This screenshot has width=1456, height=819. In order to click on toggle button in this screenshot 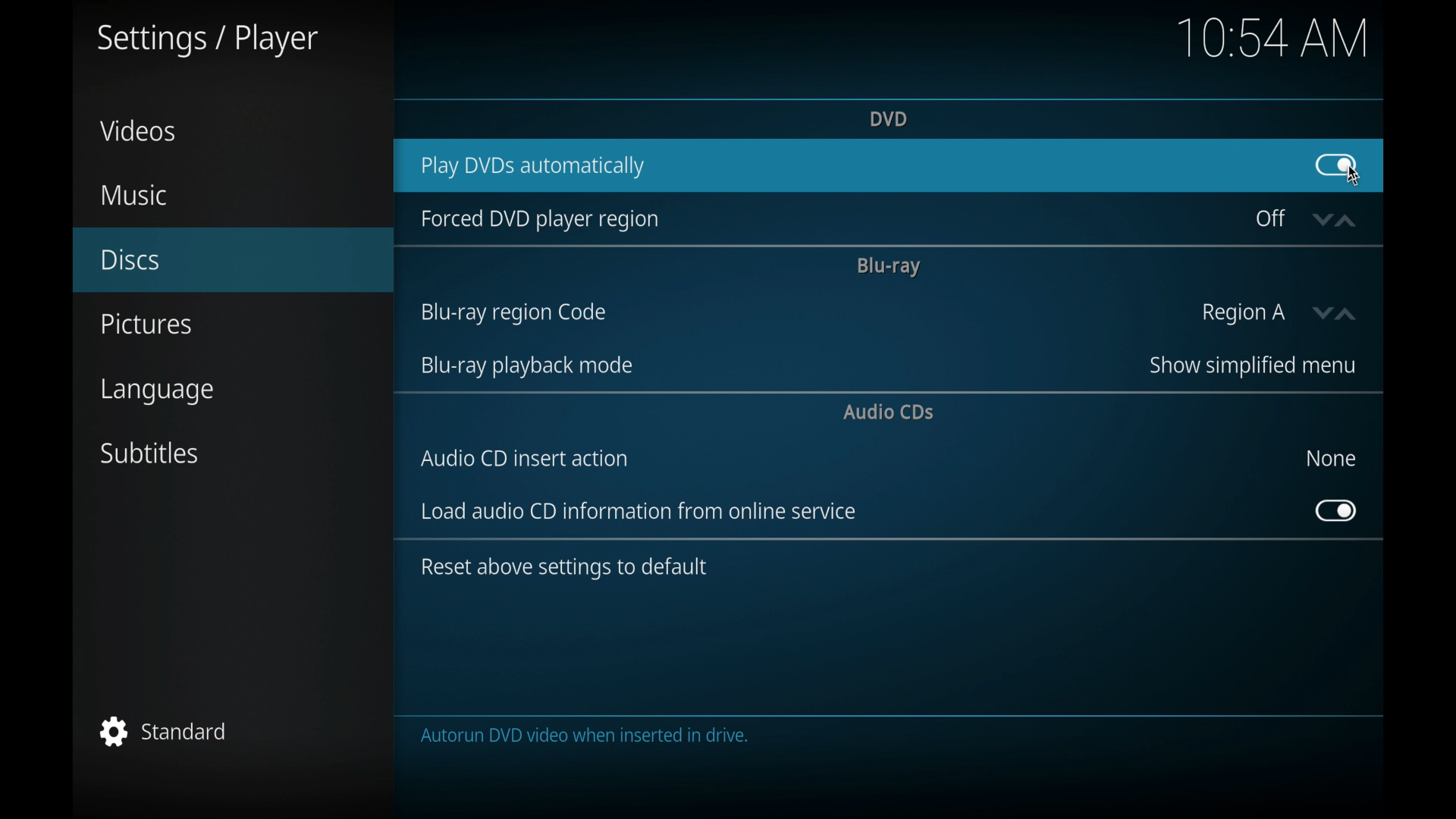, I will do `click(1335, 165)`.